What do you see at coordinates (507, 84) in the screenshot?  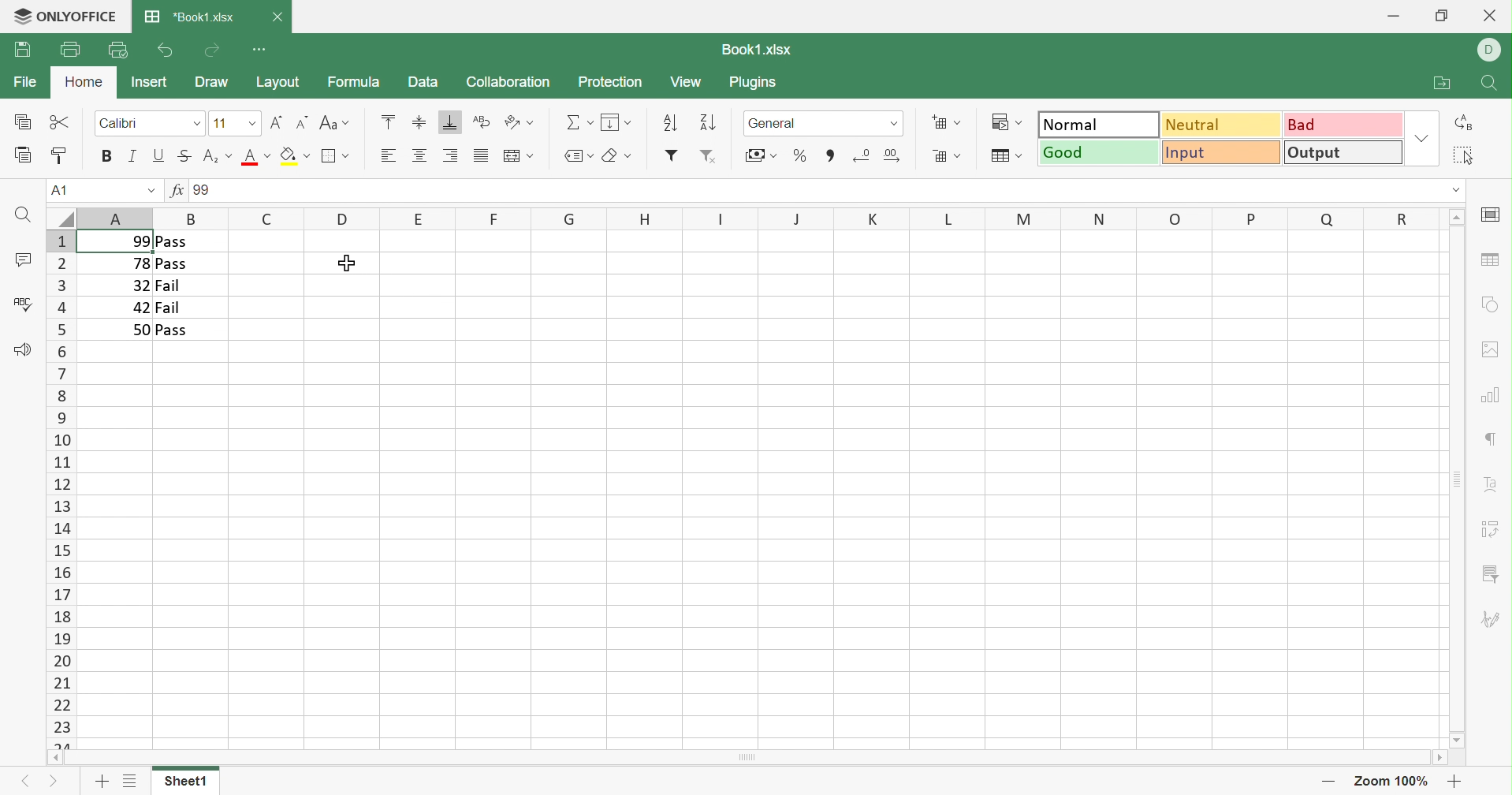 I see `Collaboration` at bounding box center [507, 84].